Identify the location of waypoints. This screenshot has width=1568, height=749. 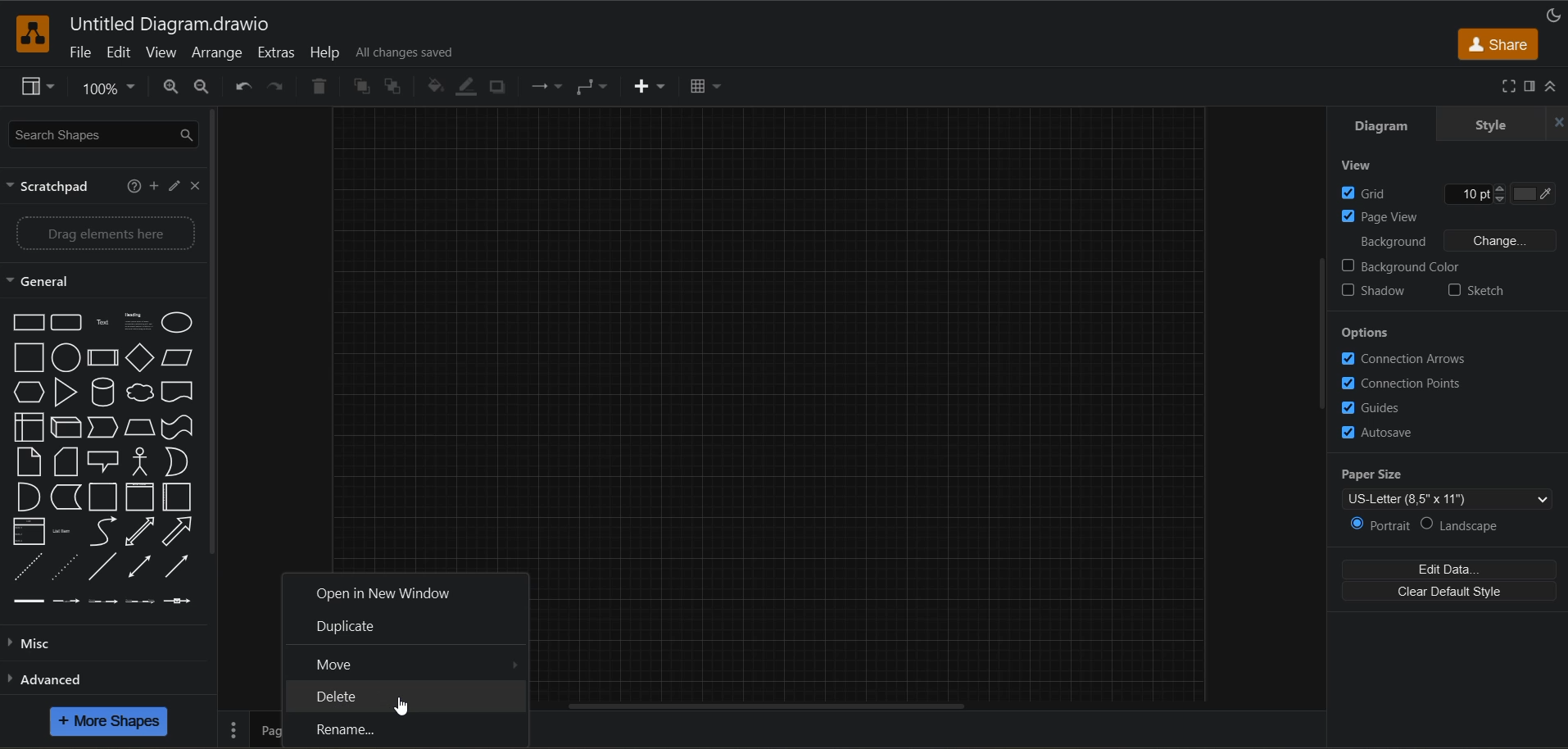
(593, 87).